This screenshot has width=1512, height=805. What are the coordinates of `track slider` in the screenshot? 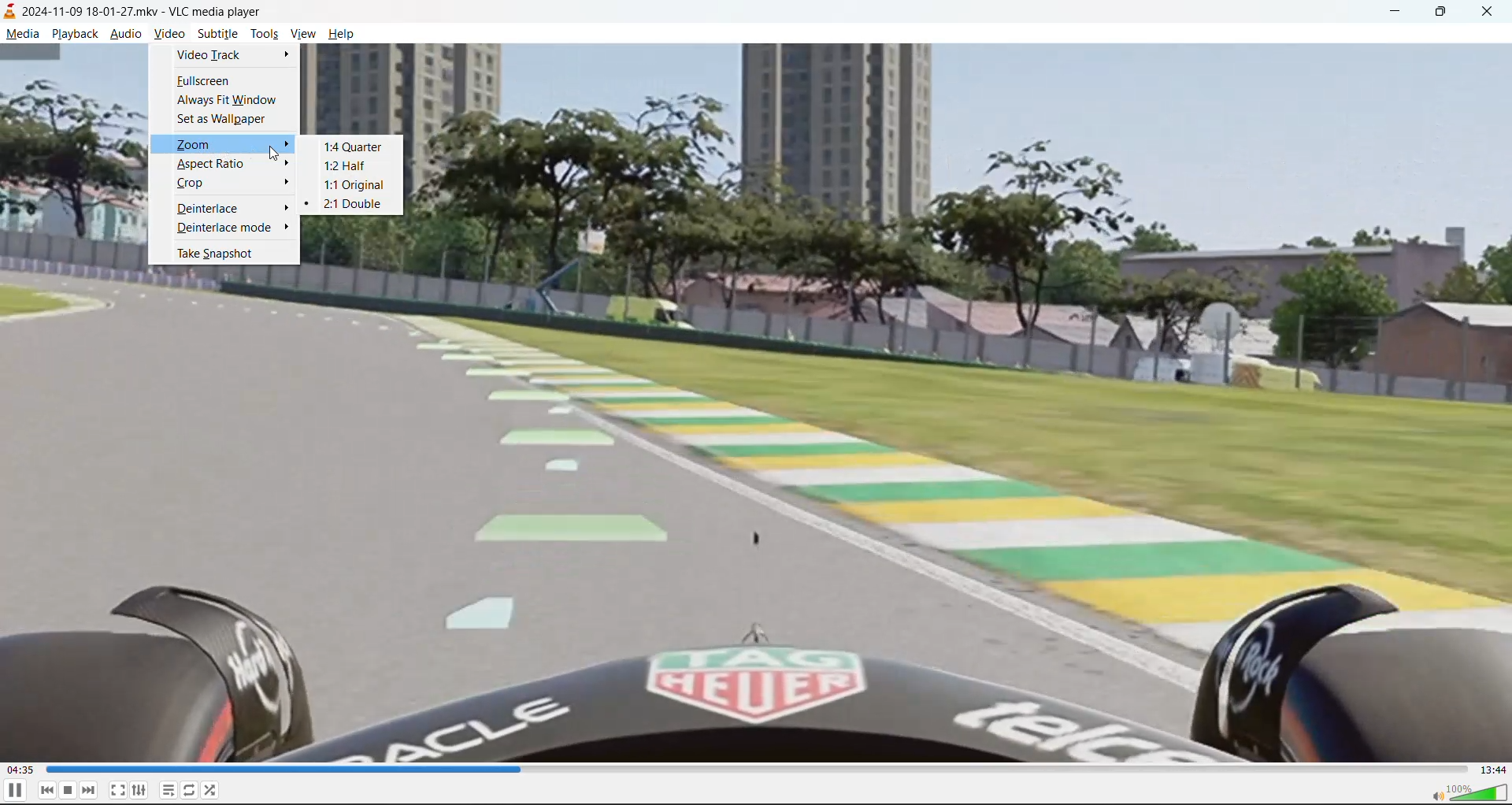 It's located at (759, 770).